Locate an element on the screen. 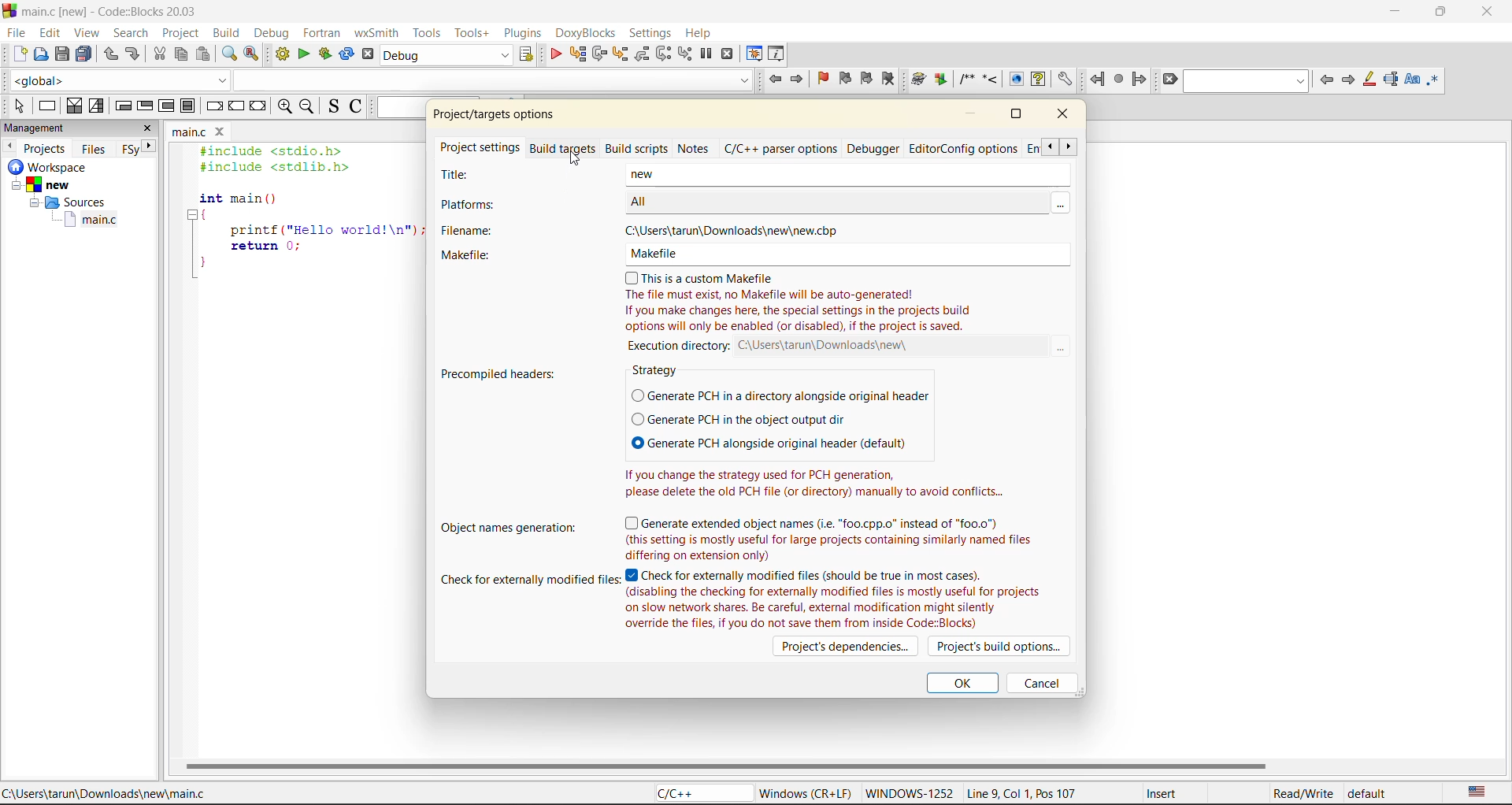 The image size is (1512, 805). entry condition loop is located at coordinates (125, 106).